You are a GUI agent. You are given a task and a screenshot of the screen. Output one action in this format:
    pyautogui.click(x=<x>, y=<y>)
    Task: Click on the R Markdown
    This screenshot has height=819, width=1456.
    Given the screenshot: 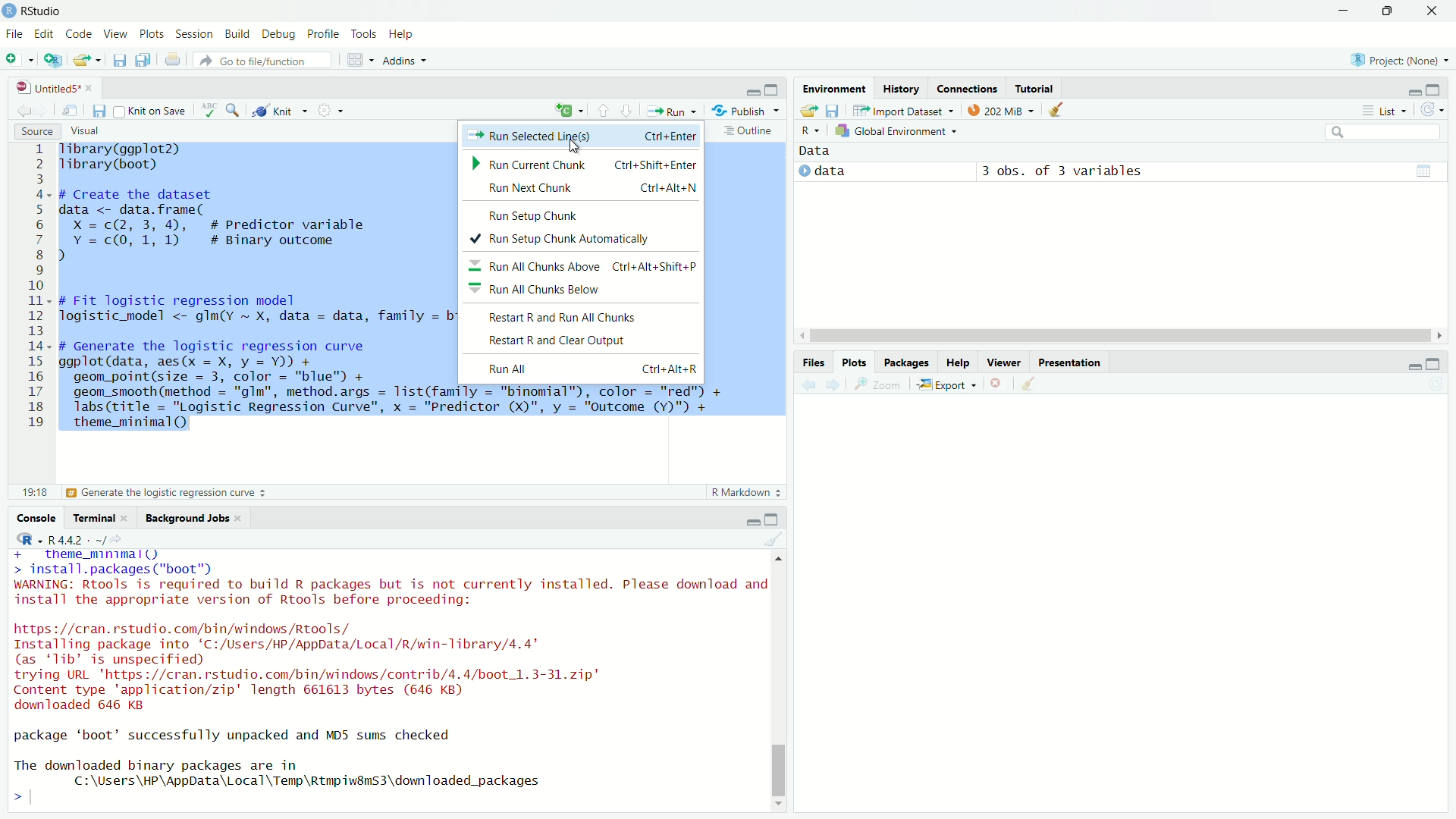 What is the action you would take?
    pyautogui.click(x=747, y=492)
    